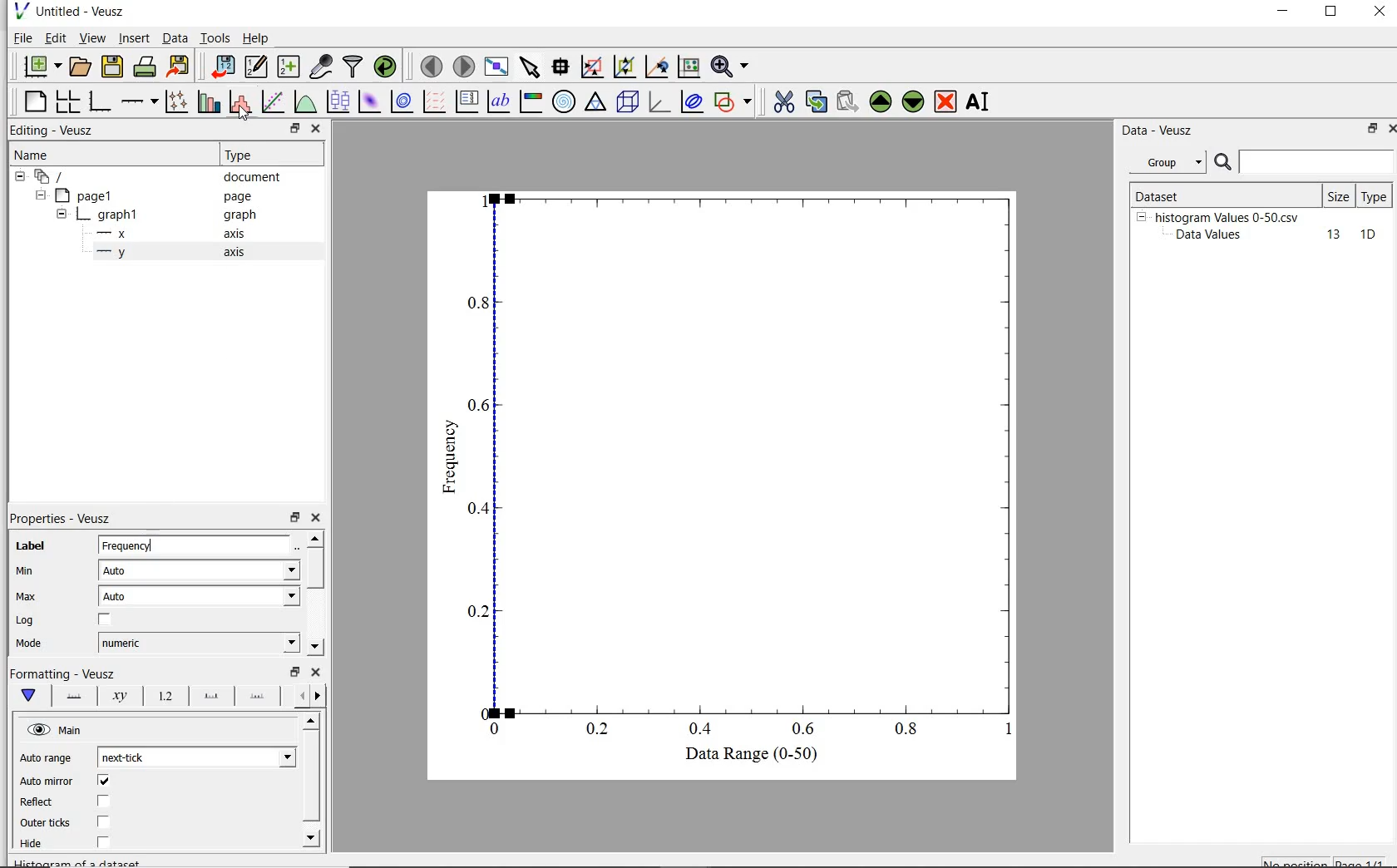 The image size is (1397, 868). Describe the element at coordinates (314, 568) in the screenshot. I see `vertical scrollbar` at that location.